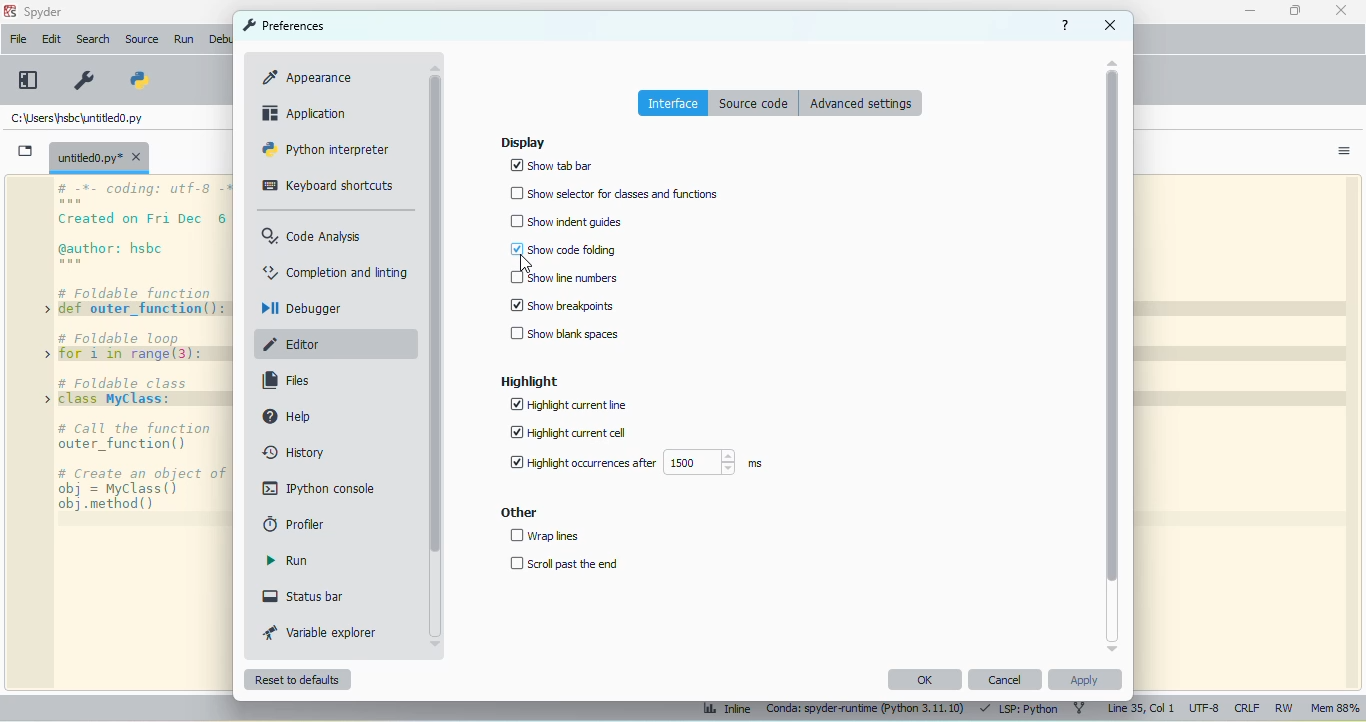 The image size is (1366, 722). I want to click on show selector for classes and functions, so click(613, 193).